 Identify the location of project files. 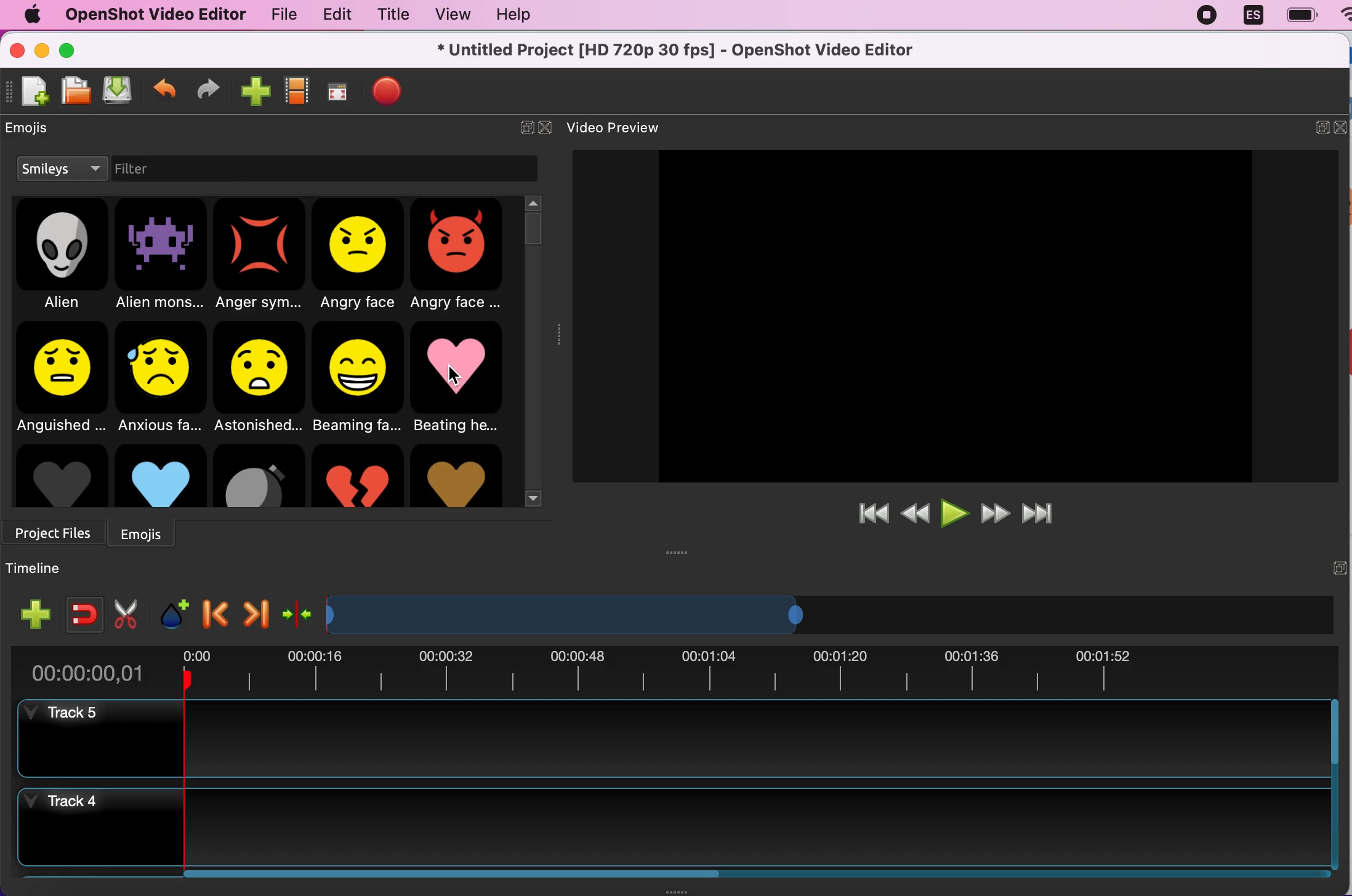
(56, 529).